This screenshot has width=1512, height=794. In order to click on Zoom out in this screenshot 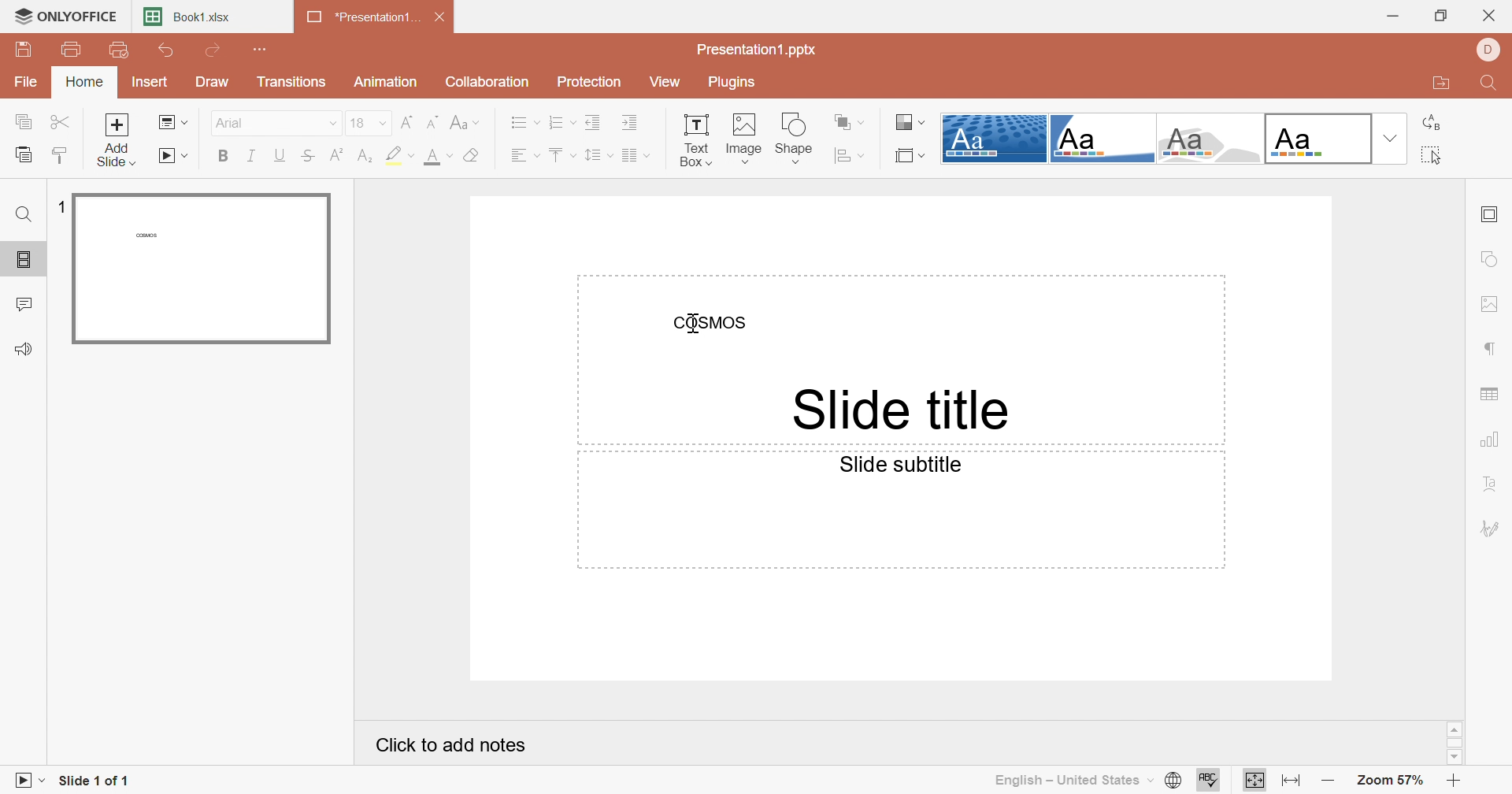, I will do `click(1329, 783)`.